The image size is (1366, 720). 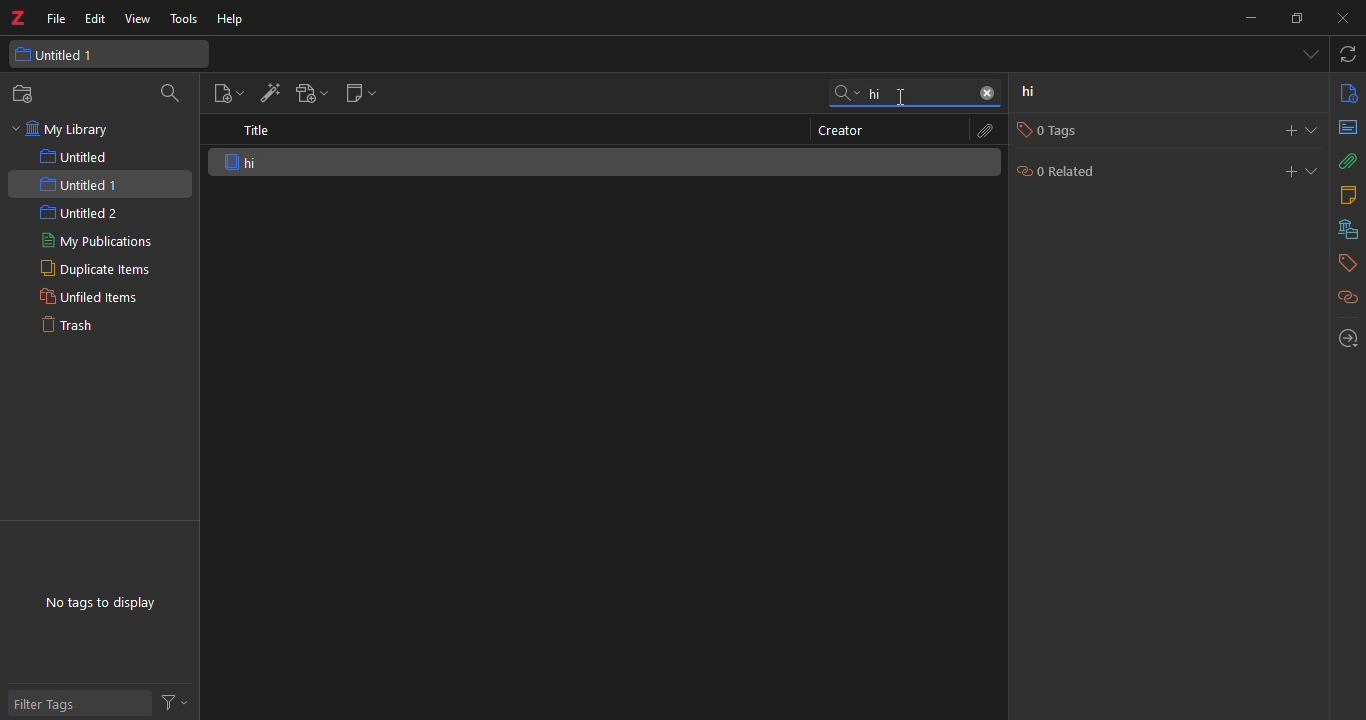 What do you see at coordinates (897, 104) in the screenshot?
I see `cursor` at bounding box center [897, 104].